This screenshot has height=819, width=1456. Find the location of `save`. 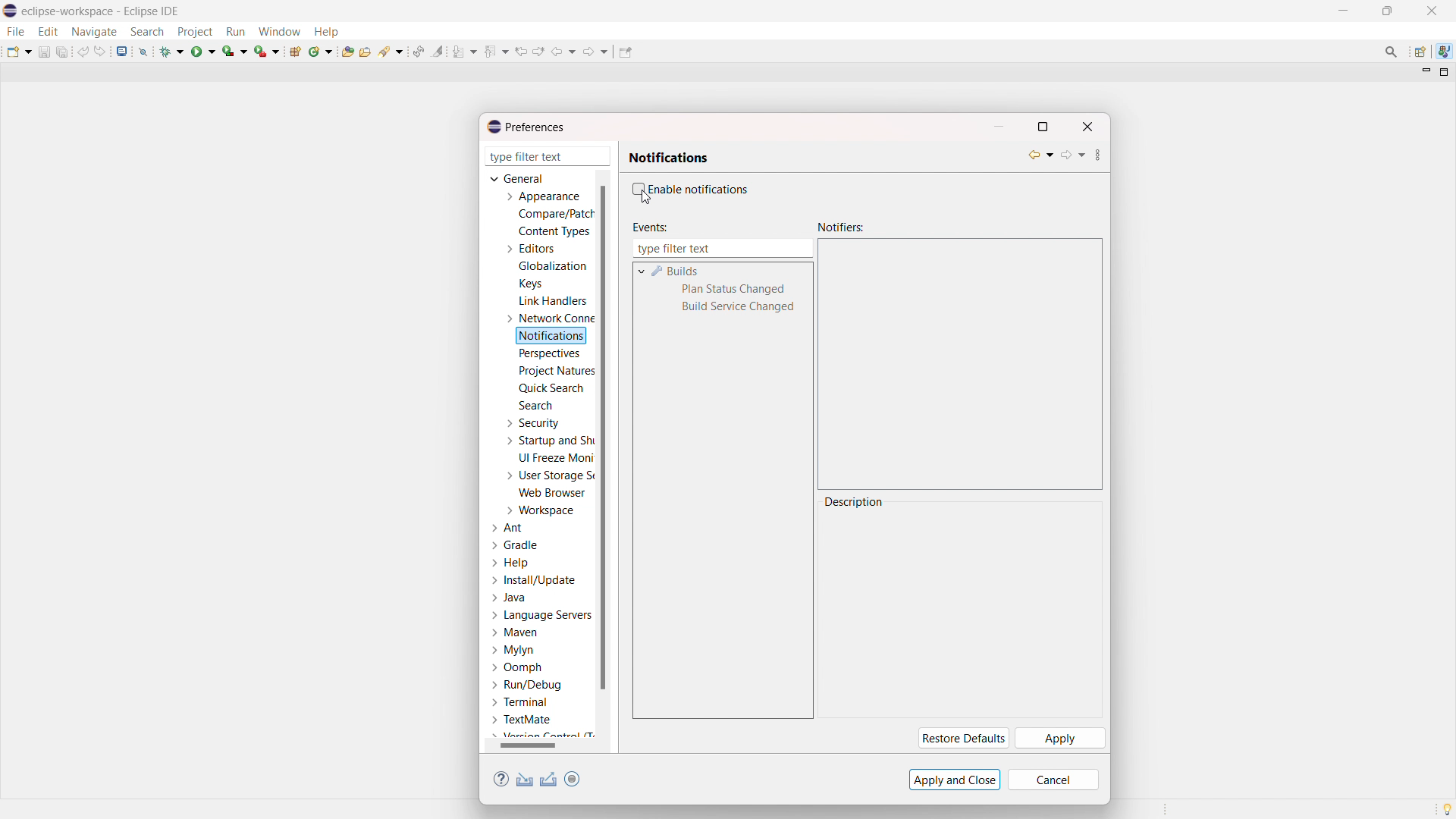

save is located at coordinates (44, 52).